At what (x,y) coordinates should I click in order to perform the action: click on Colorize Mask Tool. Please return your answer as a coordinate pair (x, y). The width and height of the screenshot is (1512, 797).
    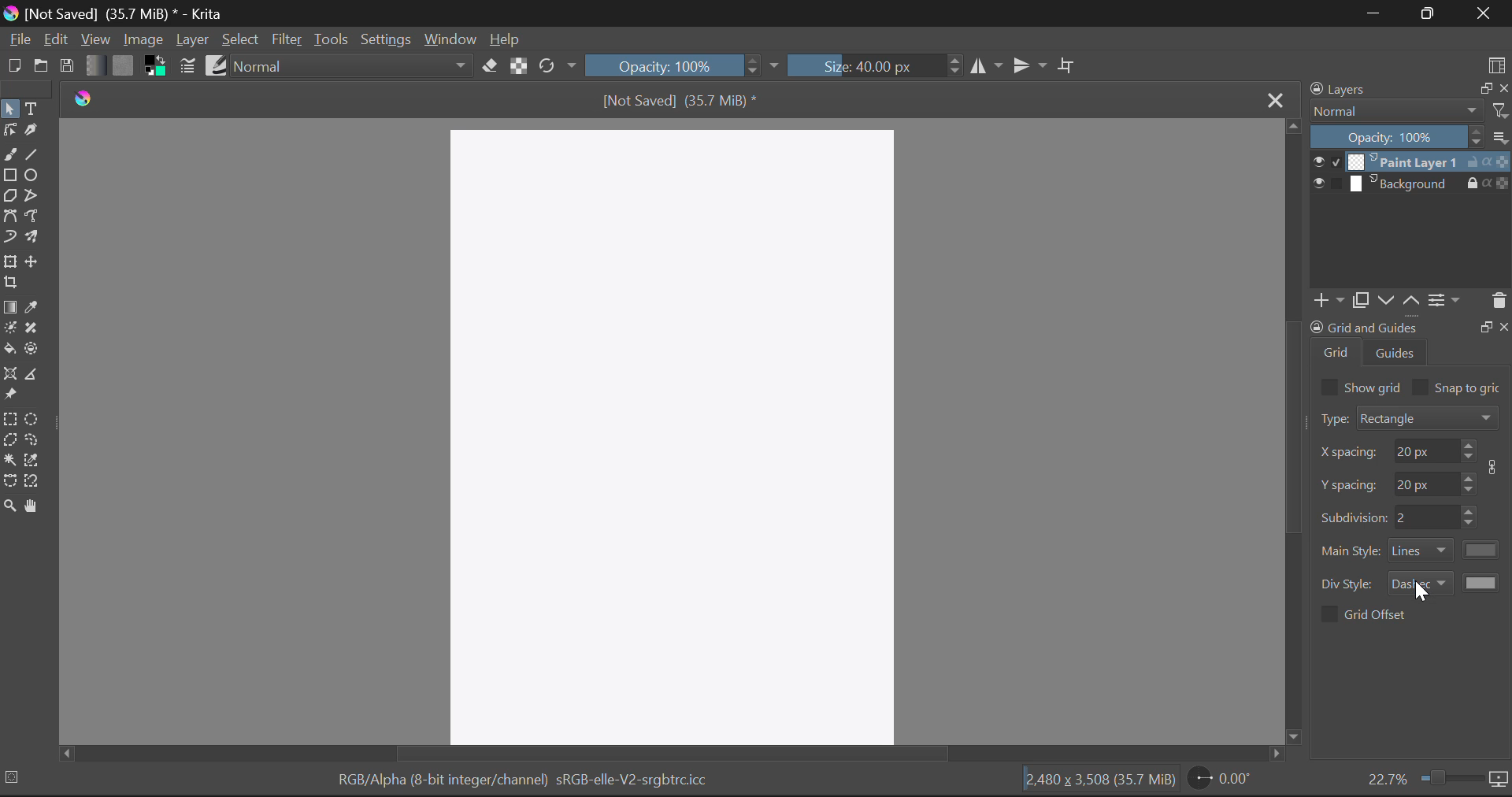
    Looking at the image, I should click on (9, 331).